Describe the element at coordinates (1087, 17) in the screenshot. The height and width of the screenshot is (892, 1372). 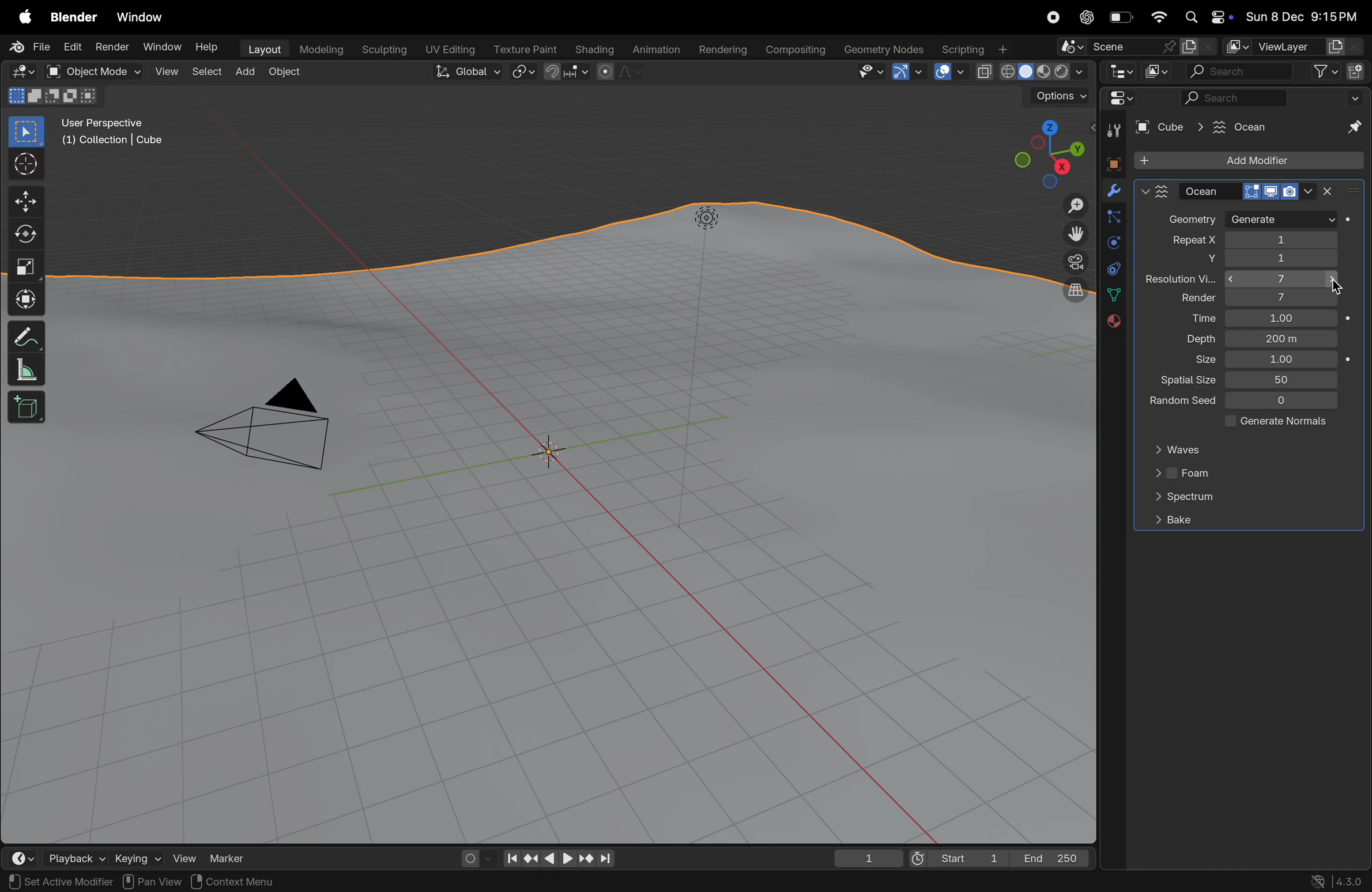
I see `chatgpt` at that location.